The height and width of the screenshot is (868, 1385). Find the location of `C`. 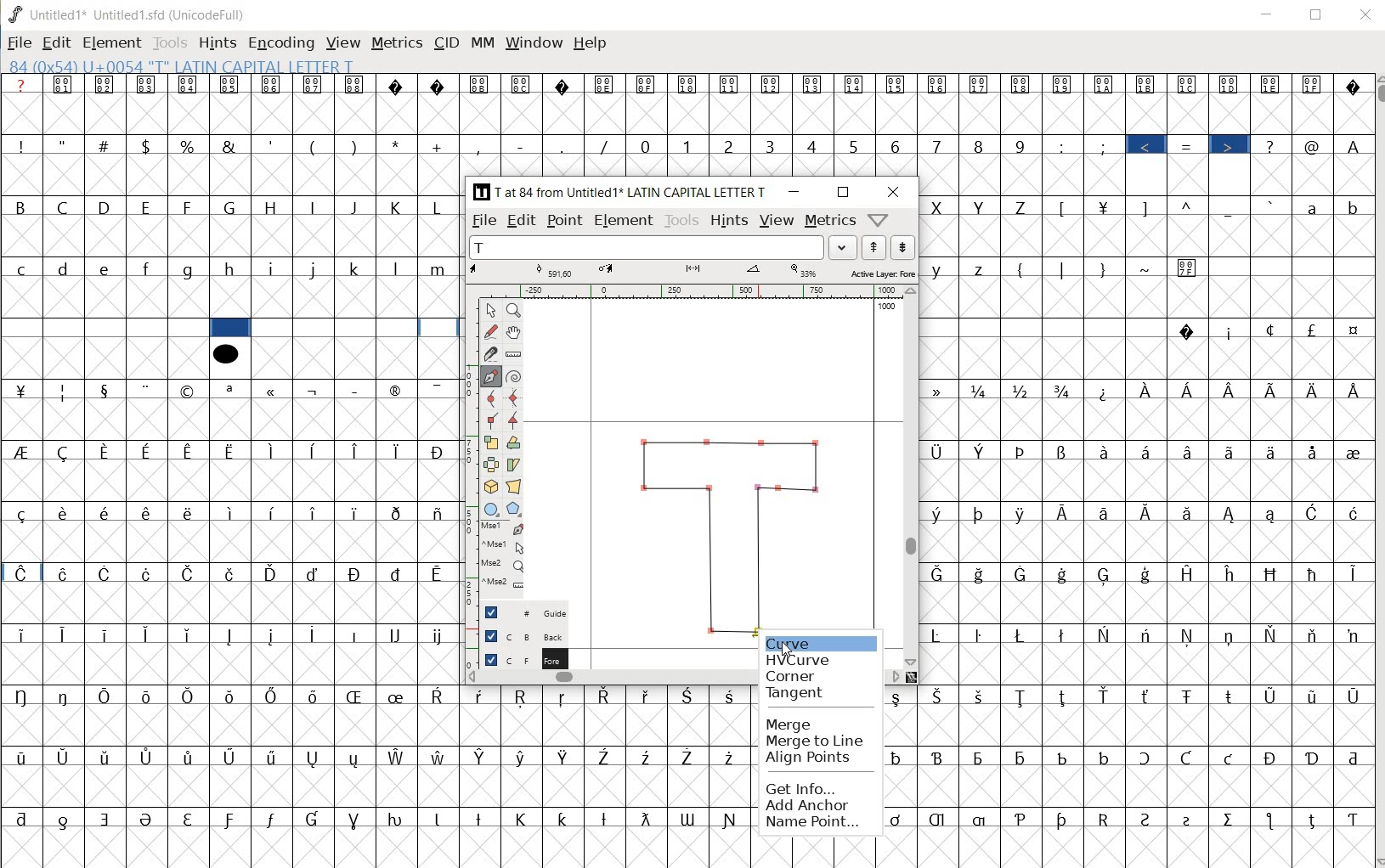

C is located at coordinates (66, 206).